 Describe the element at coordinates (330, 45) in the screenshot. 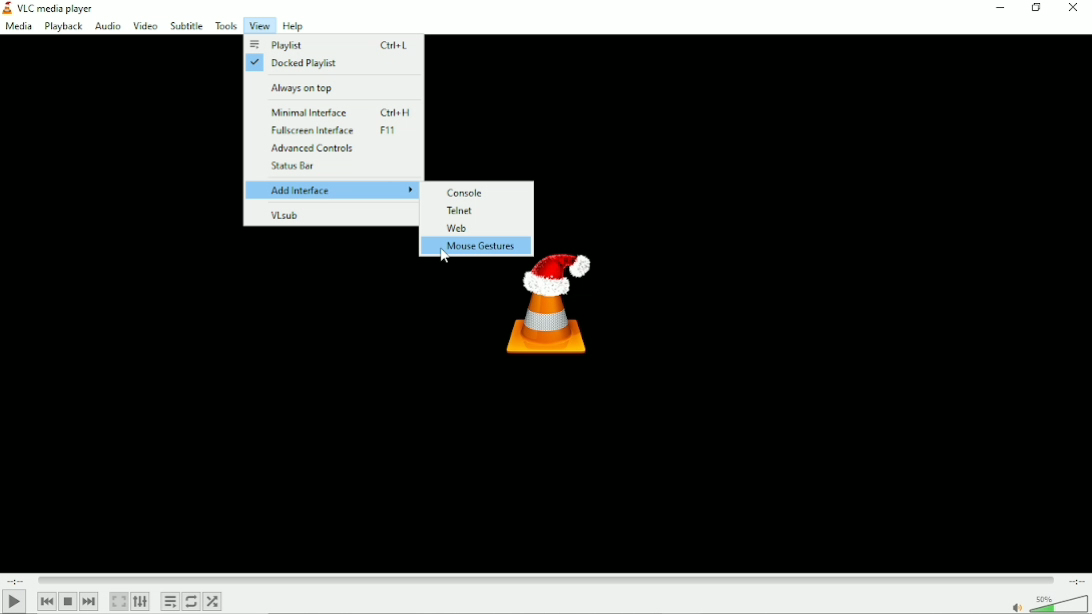

I see `Playlist` at that location.